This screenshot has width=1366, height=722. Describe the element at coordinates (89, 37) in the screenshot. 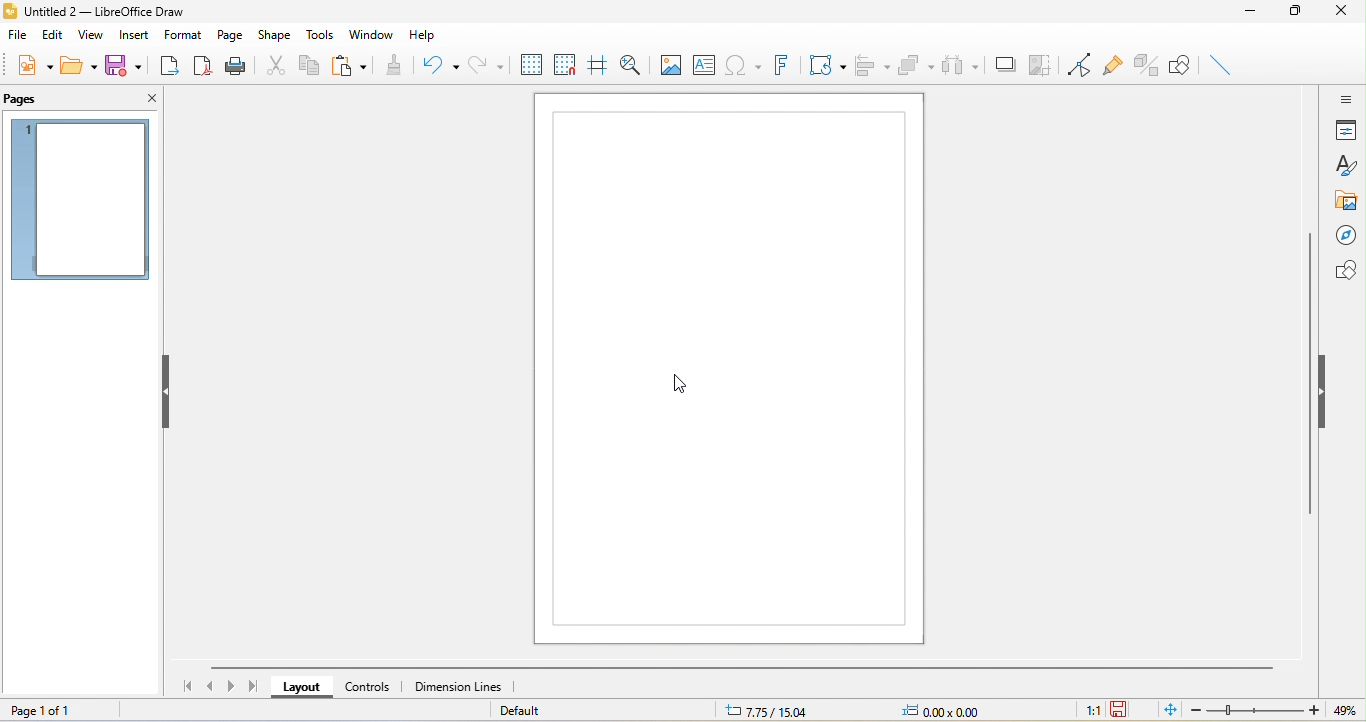

I see `view` at that location.